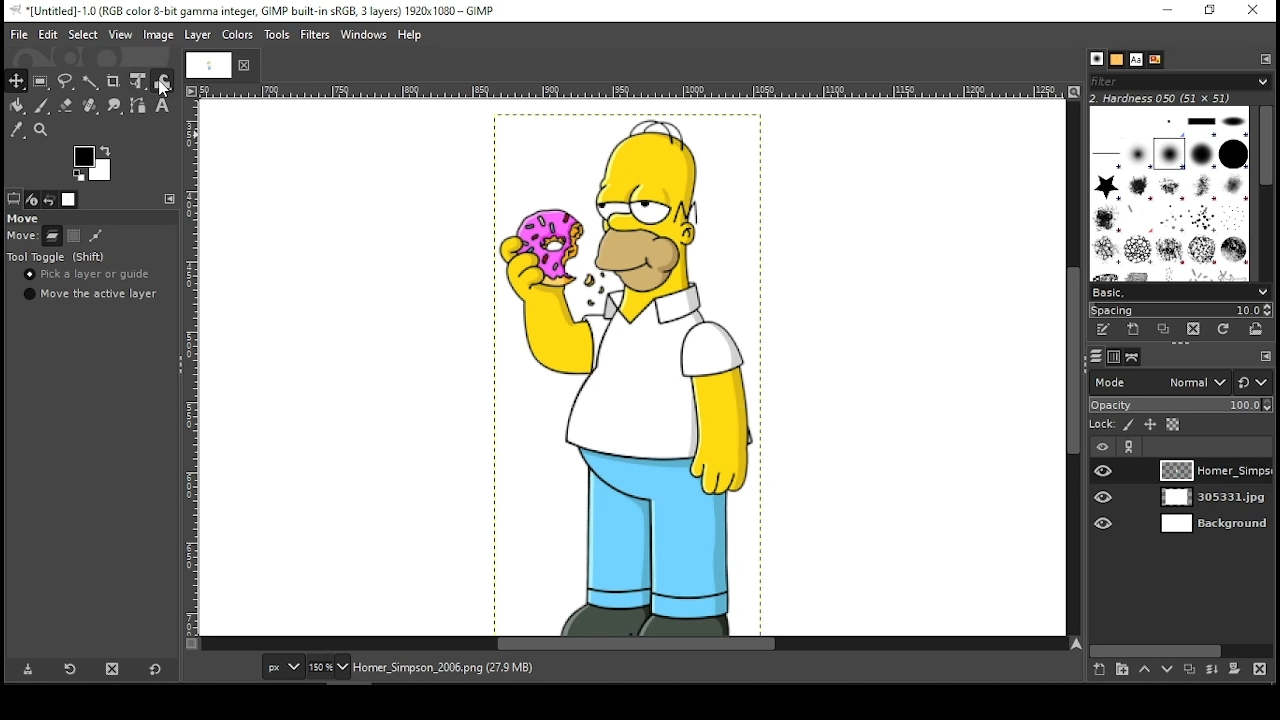 The image size is (1280, 720). What do you see at coordinates (1167, 672) in the screenshot?
I see `move layer one step down` at bounding box center [1167, 672].